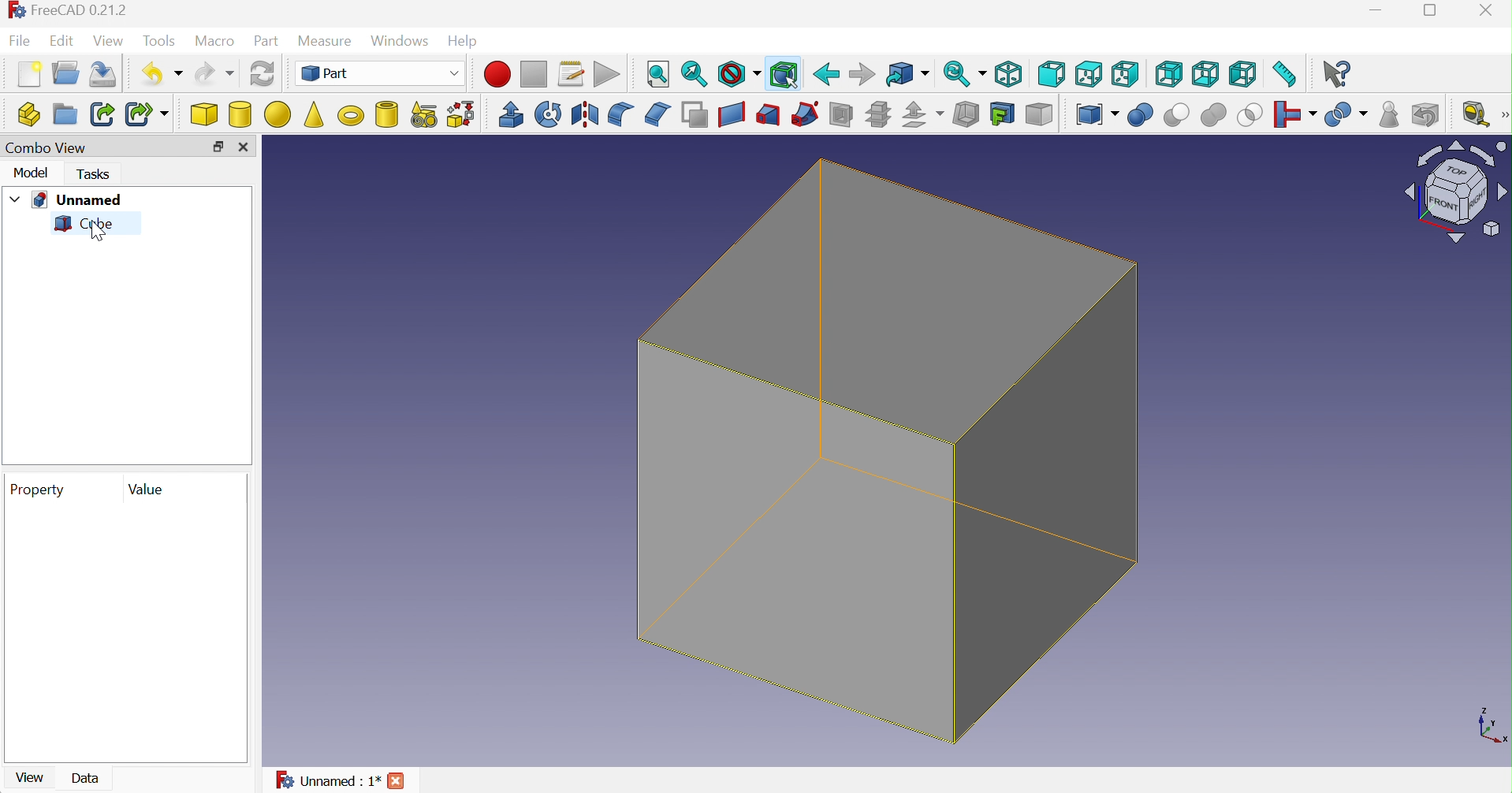 The width and height of the screenshot is (1512, 793). Describe the element at coordinates (620, 116) in the screenshot. I see `Fillet` at that location.